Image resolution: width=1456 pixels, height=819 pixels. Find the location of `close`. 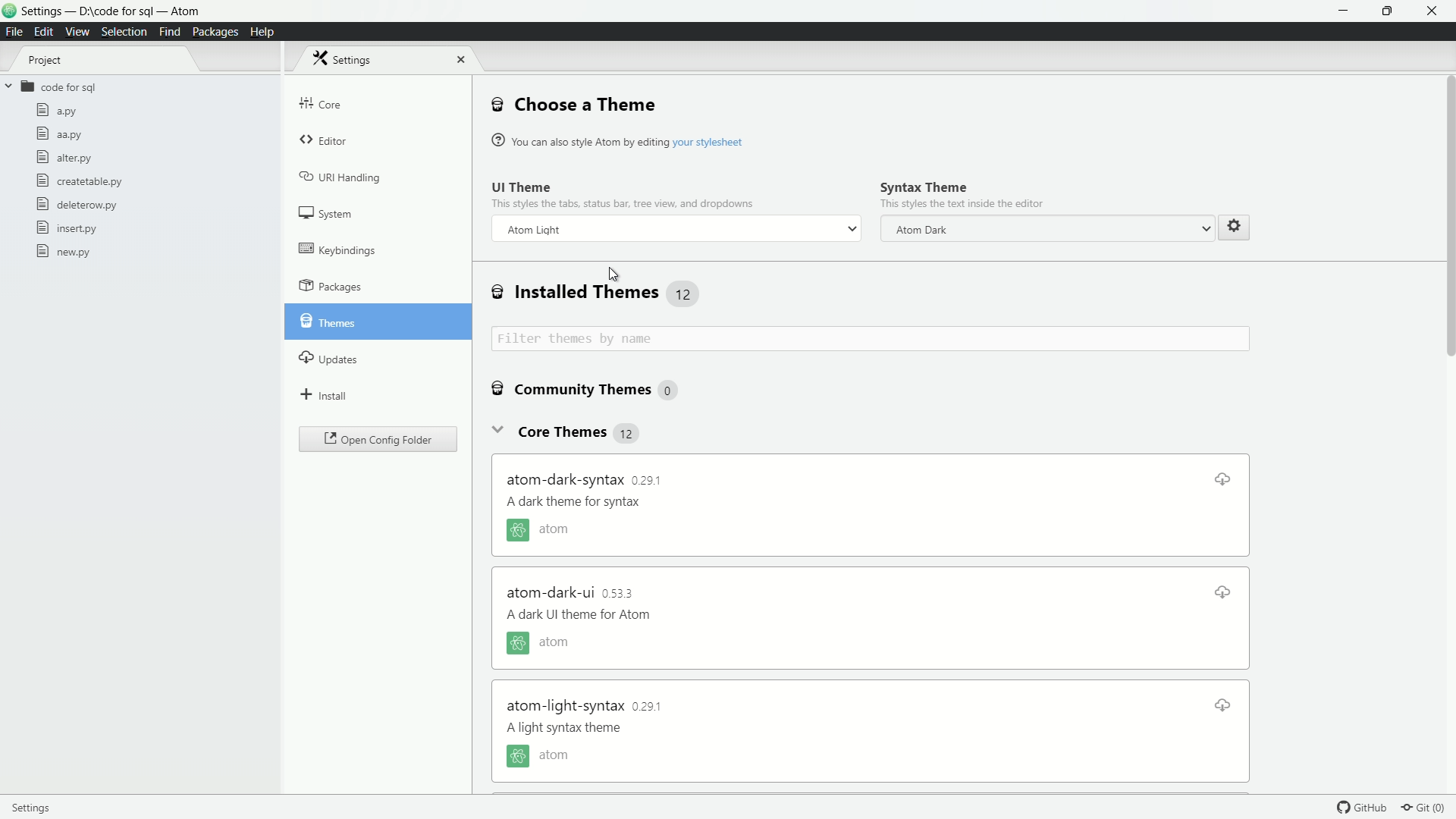

close is located at coordinates (460, 59).